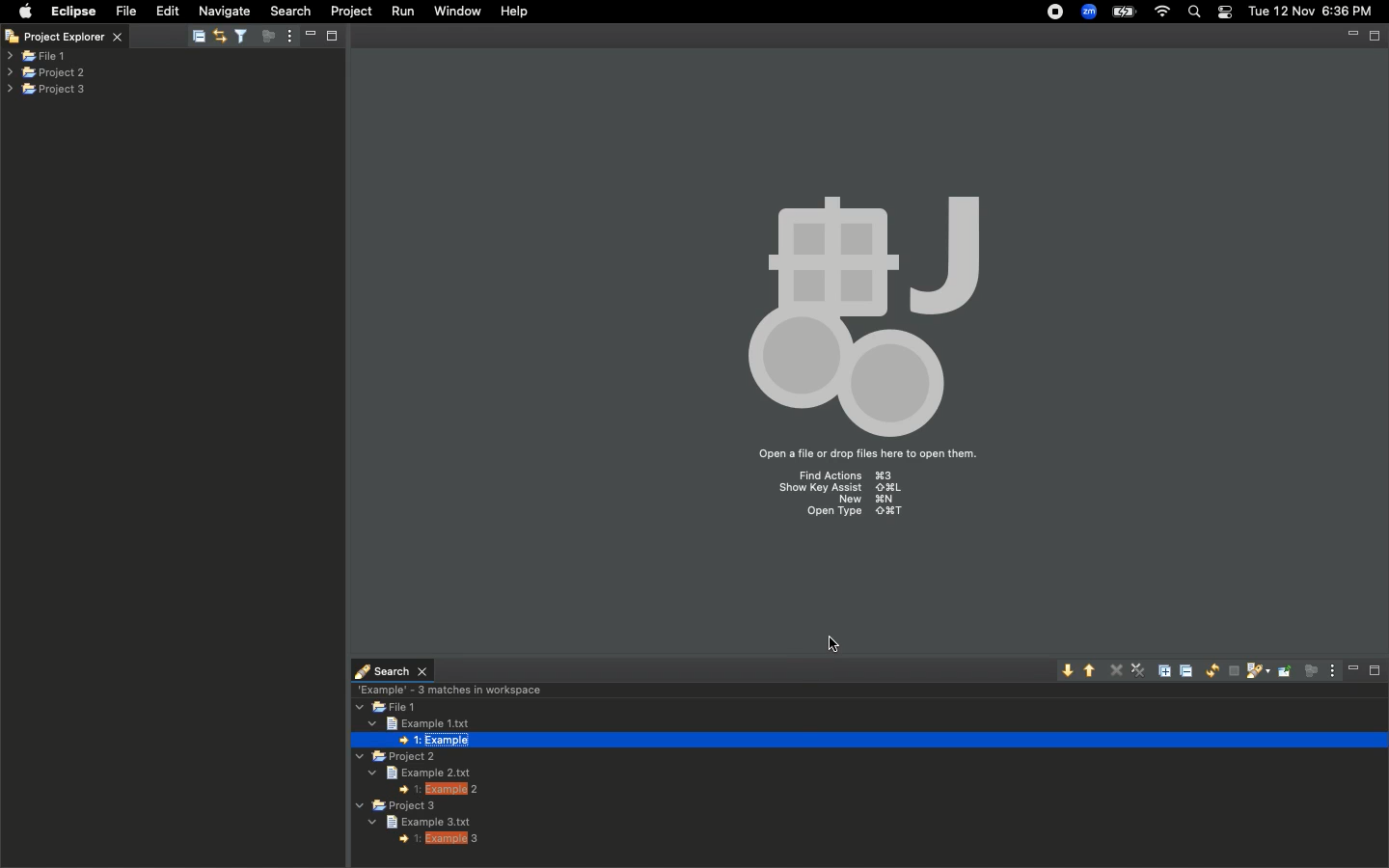 The width and height of the screenshot is (1389, 868). Describe the element at coordinates (1329, 670) in the screenshot. I see `View menu` at that location.